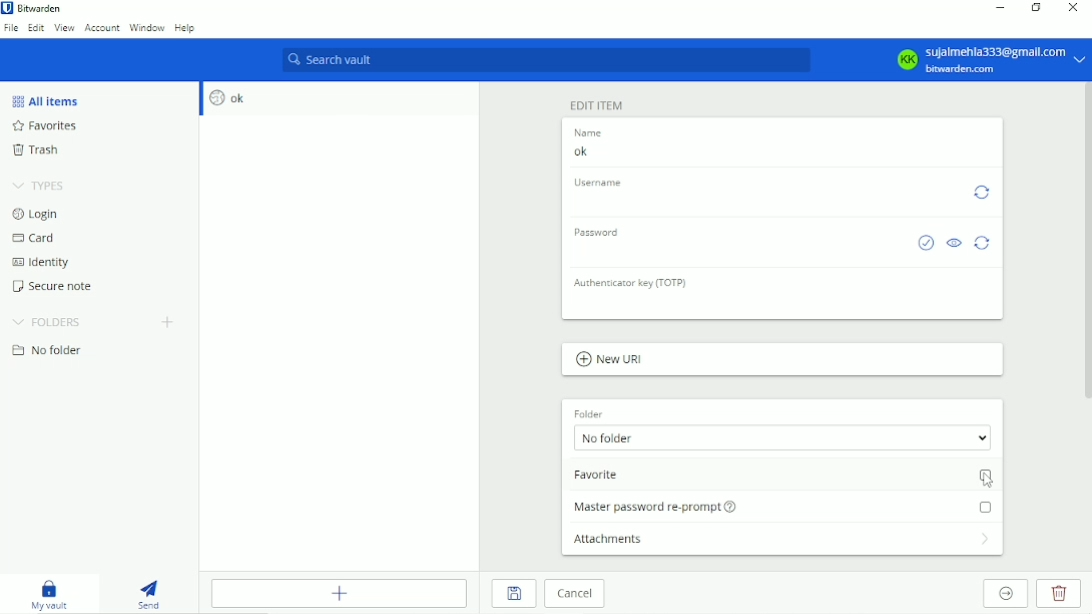  What do you see at coordinates (41, 183) in the screenshot?
I see `Types` at bounding box center [41, 183].